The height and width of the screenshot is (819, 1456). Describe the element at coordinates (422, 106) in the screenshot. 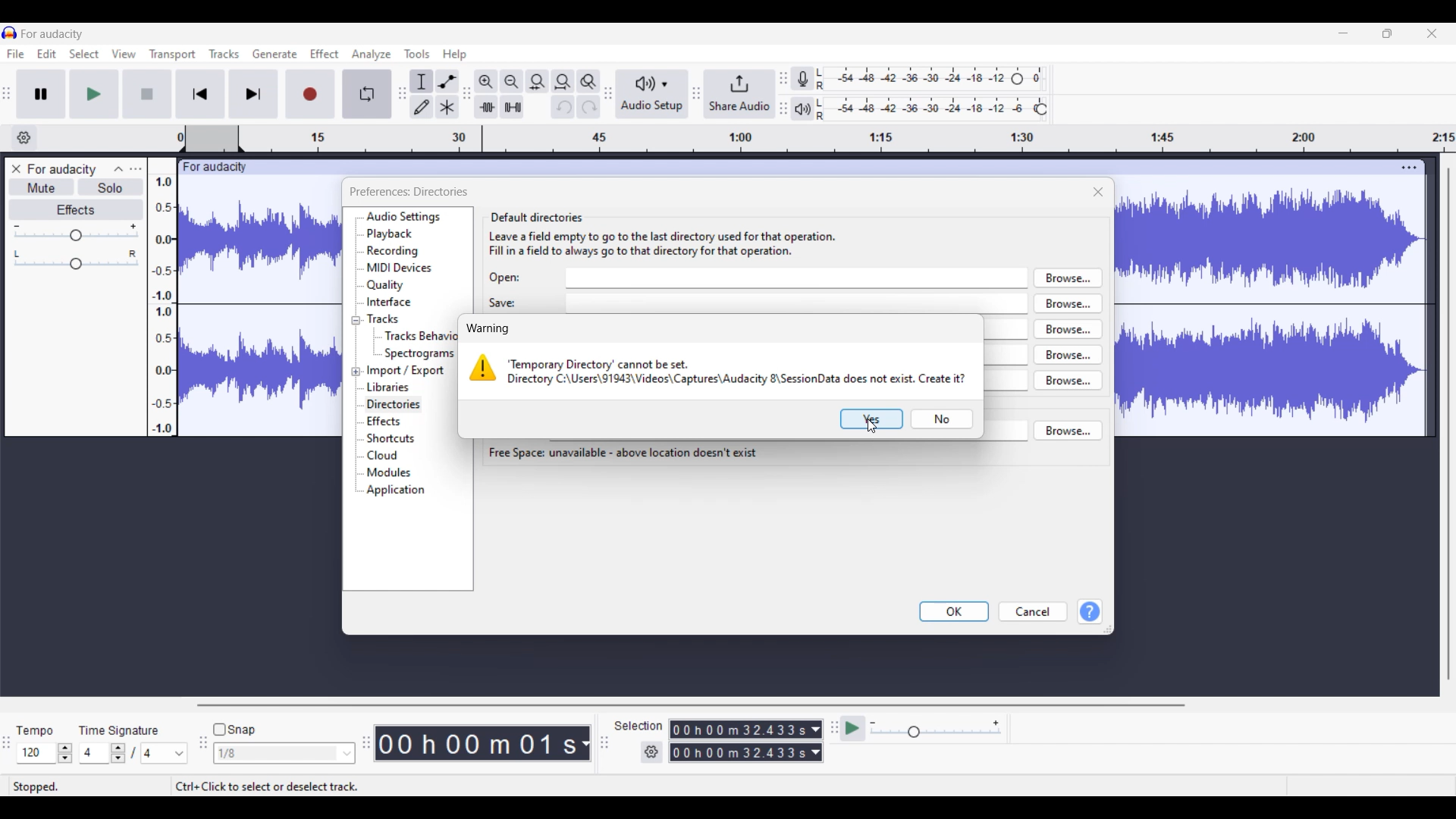

I see `Draw tool` at that location.